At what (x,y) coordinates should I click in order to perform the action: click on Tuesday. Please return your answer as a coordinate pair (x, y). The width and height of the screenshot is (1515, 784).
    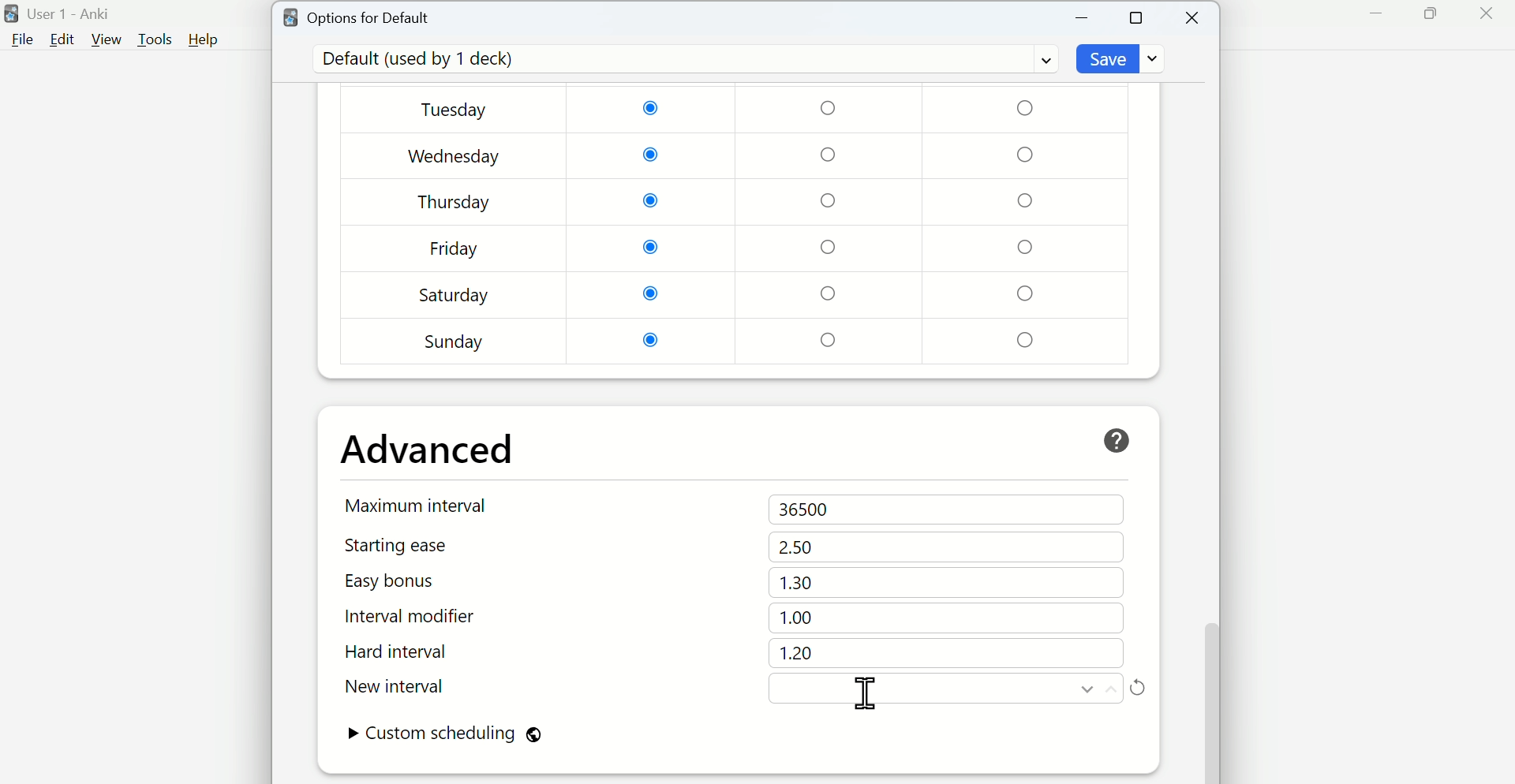
    Looking at the image, I should click on (457, 111).